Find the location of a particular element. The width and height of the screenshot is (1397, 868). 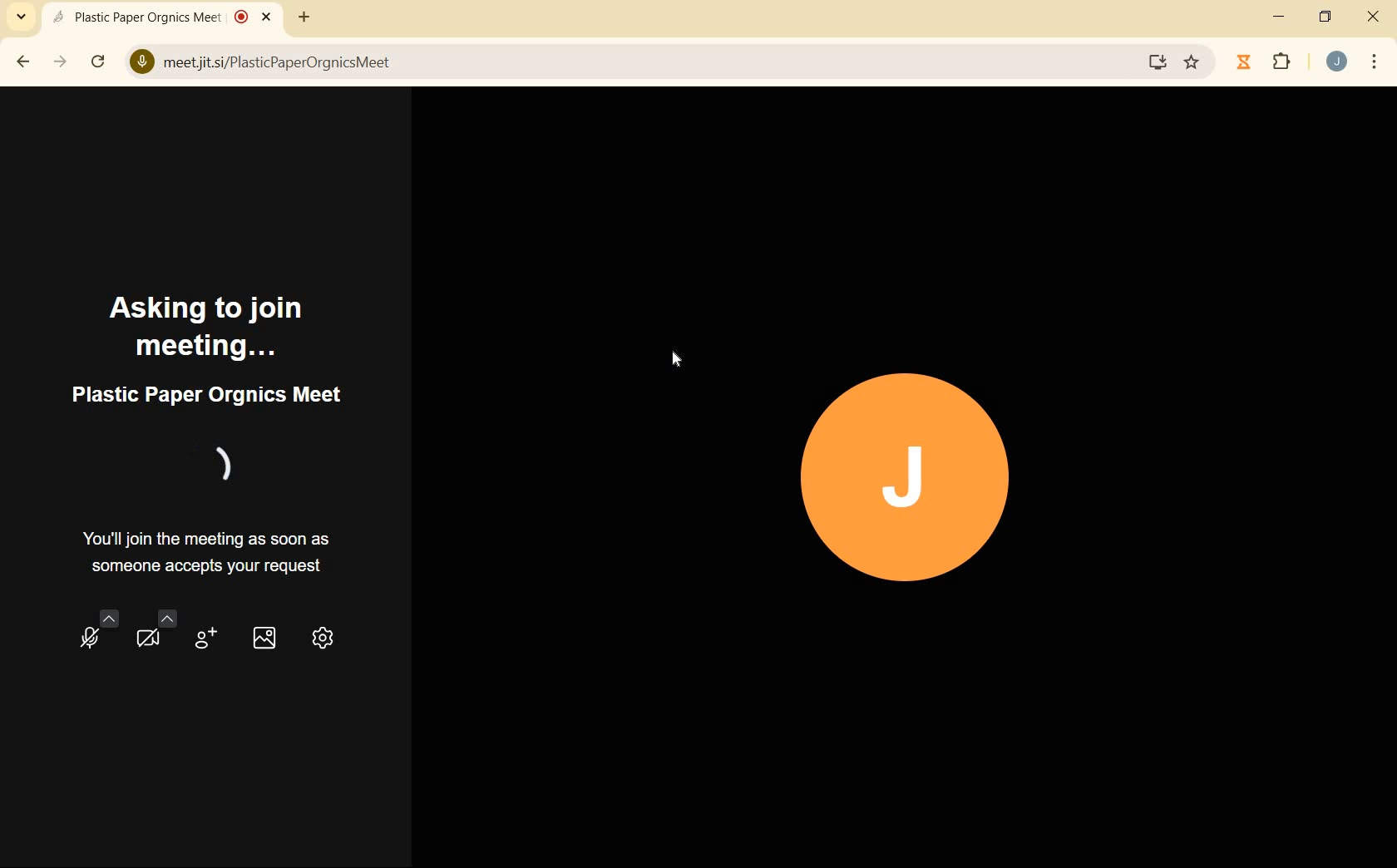

reload is located at coordinates (98, 60).